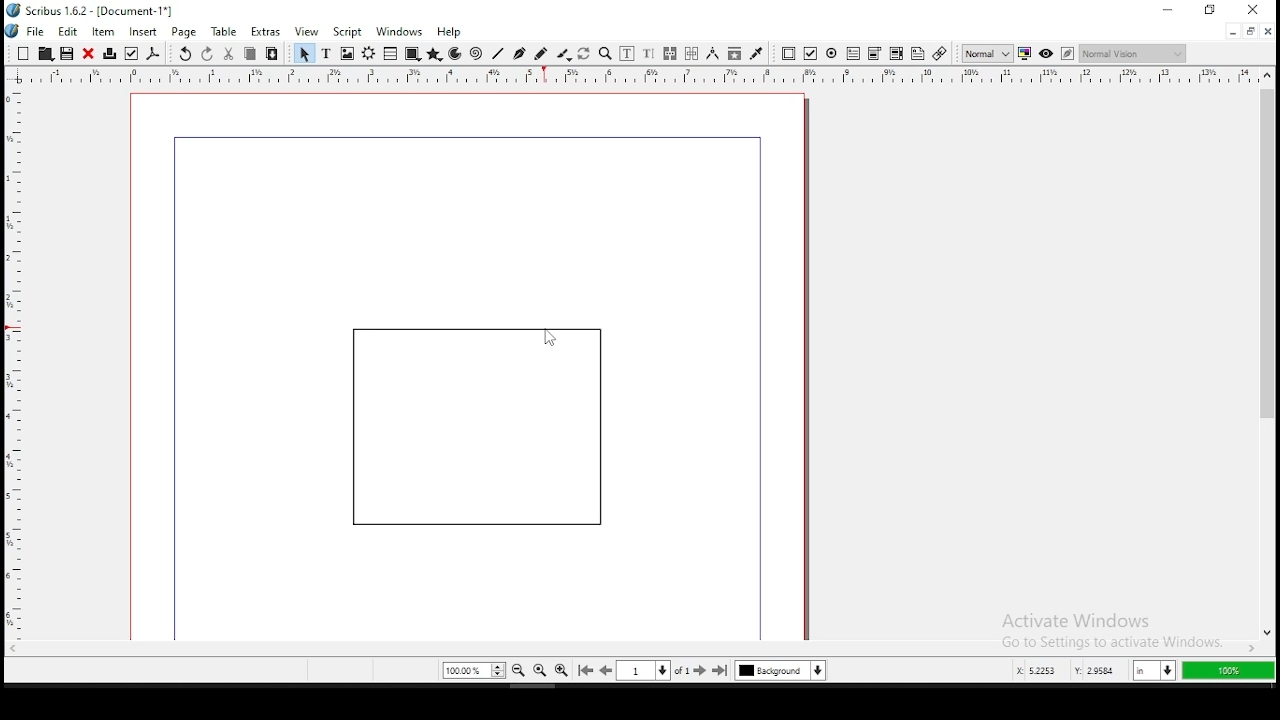  Describe the element at coordinates (640, 75) in the screenshot. I see `vertical ruler` at that location.